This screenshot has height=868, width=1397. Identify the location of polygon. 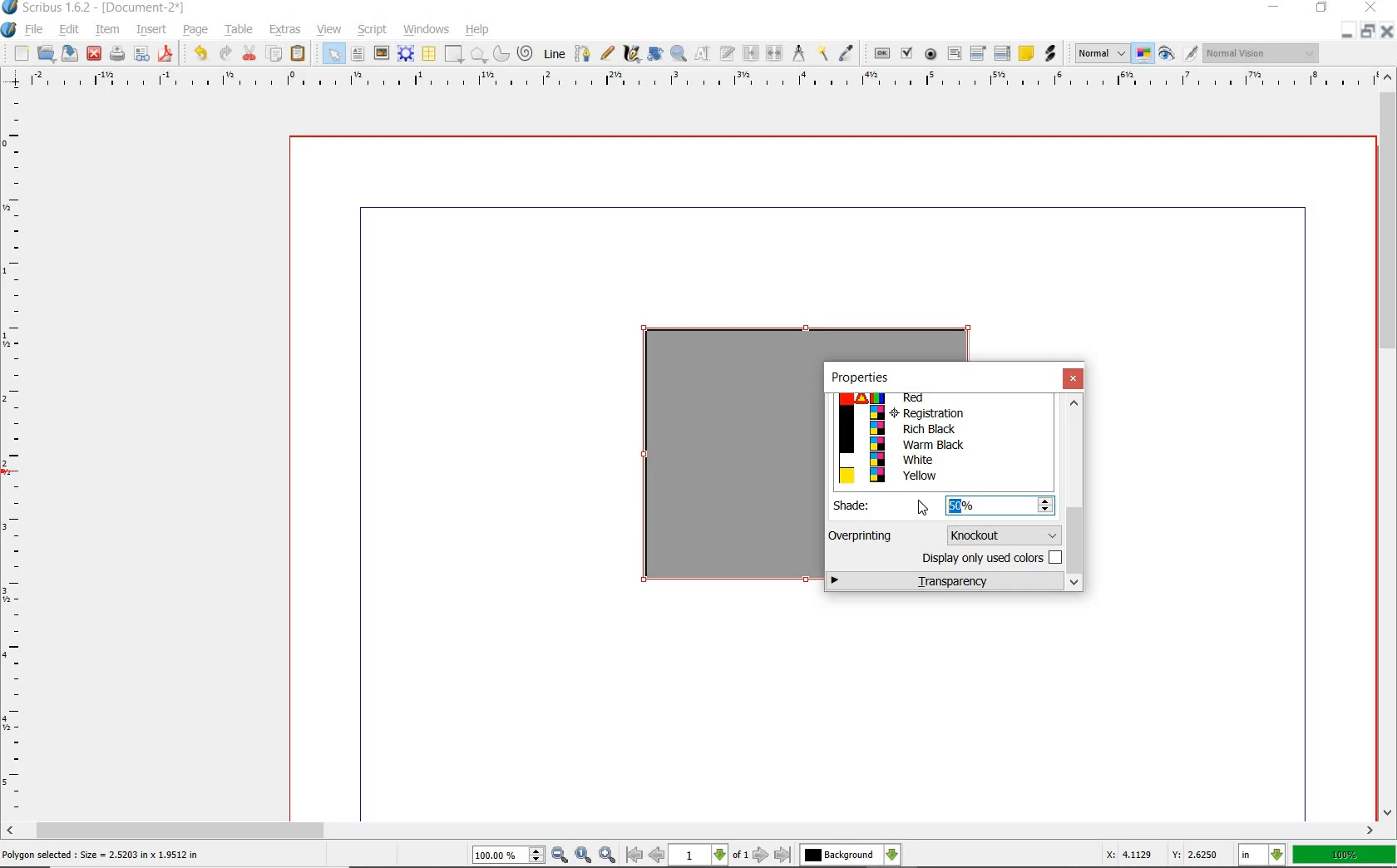
(478, 53).